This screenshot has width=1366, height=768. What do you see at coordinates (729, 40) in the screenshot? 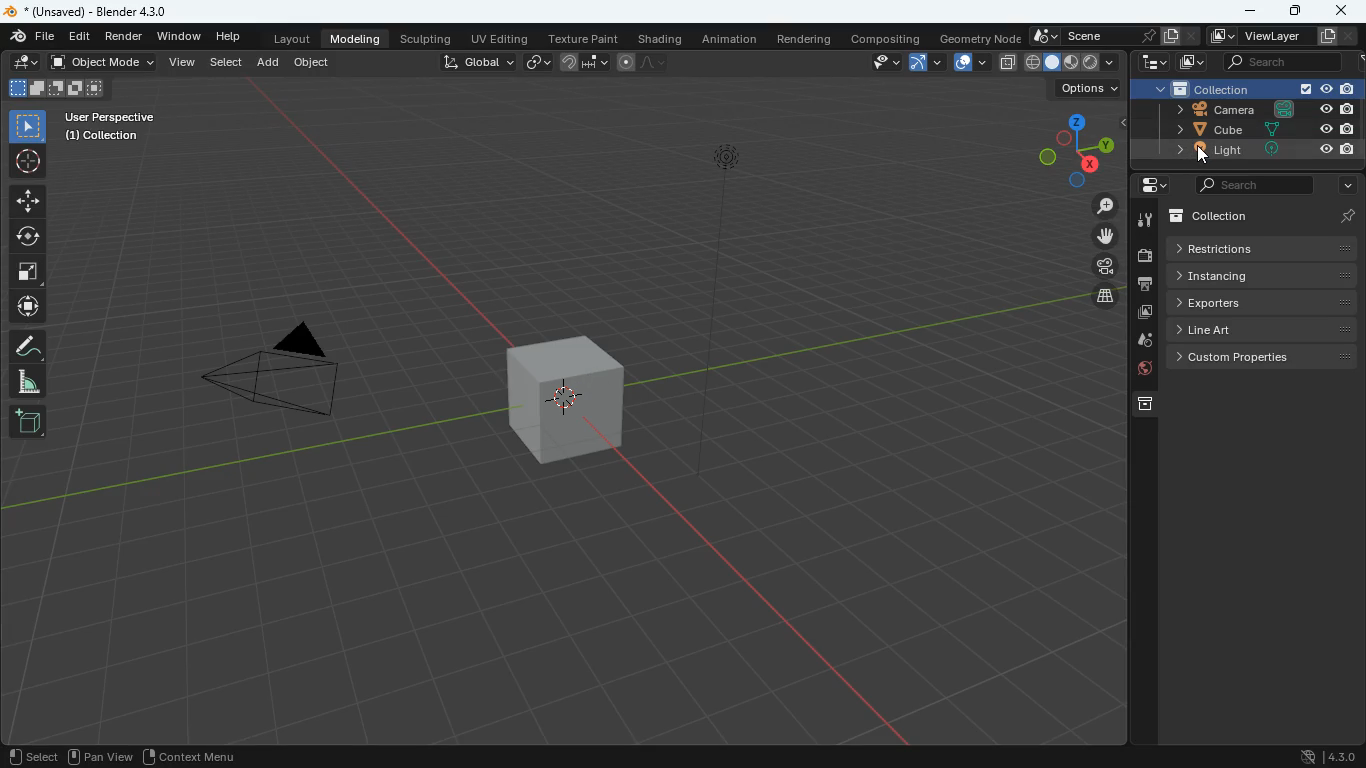
I see `animation` at bounding box center [729, 40].